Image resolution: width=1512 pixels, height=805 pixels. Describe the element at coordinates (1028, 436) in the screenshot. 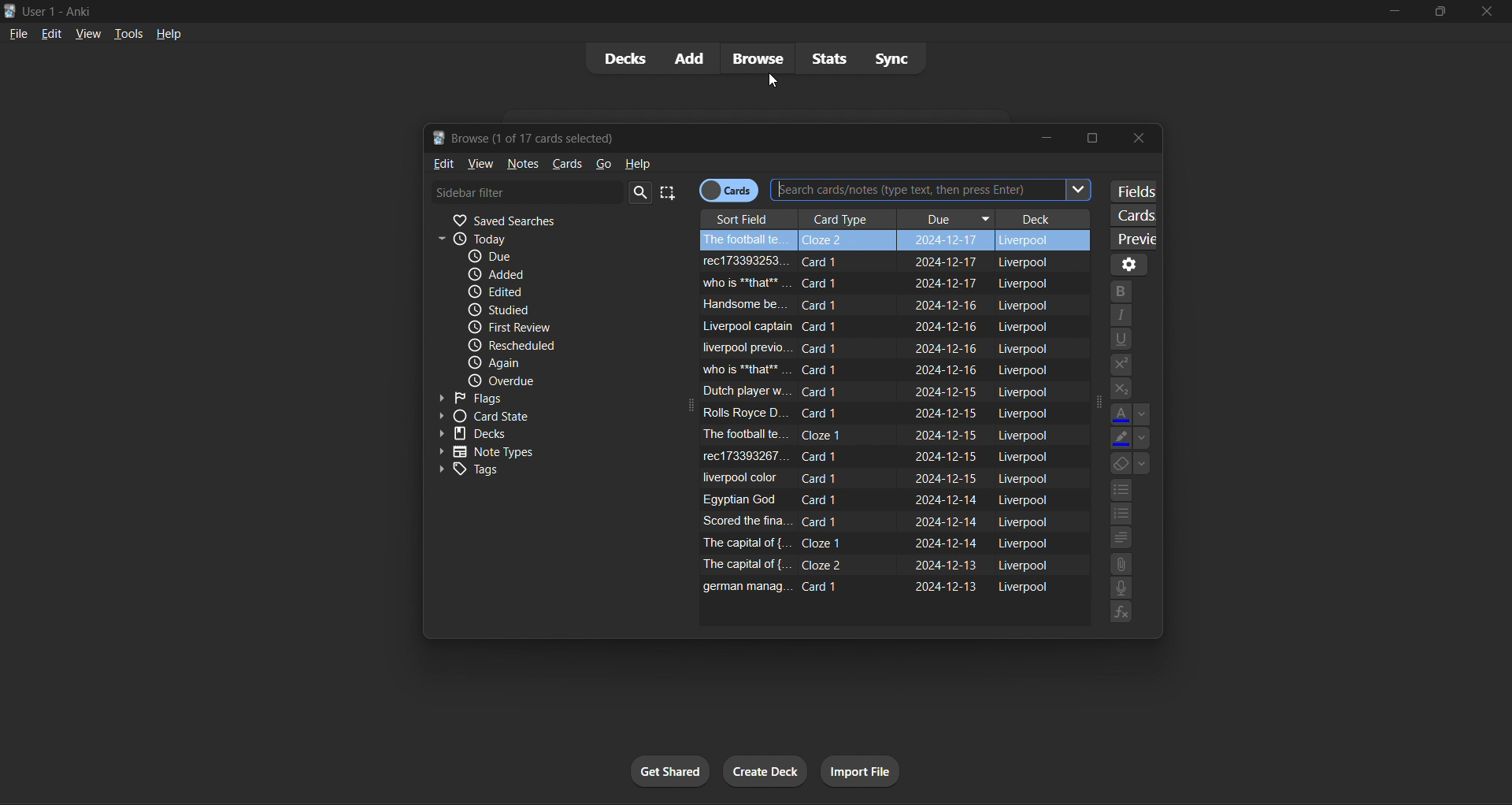

I see `liverpool` at that location.